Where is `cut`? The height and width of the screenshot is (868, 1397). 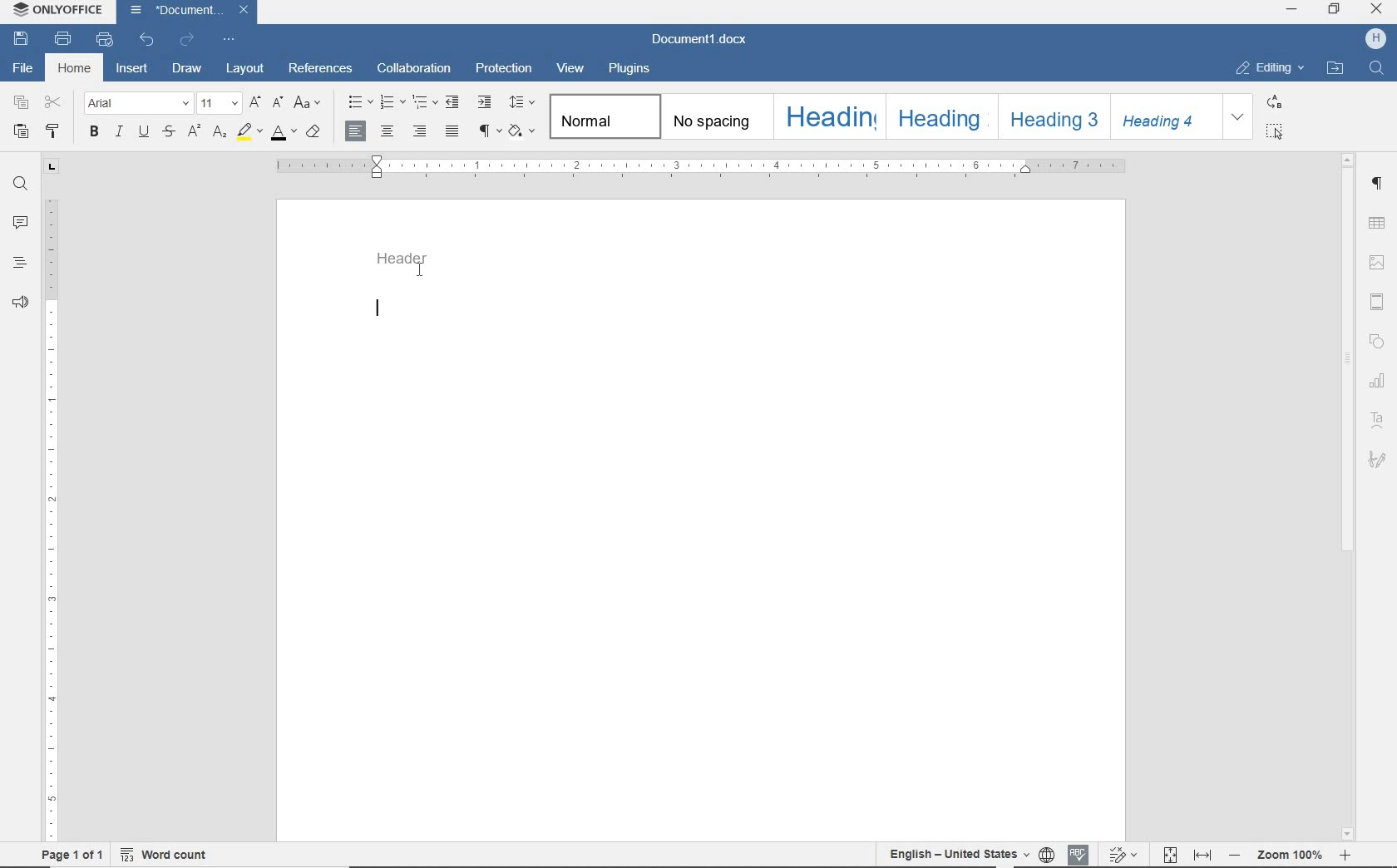 cut is located at coordinates (54, 103).